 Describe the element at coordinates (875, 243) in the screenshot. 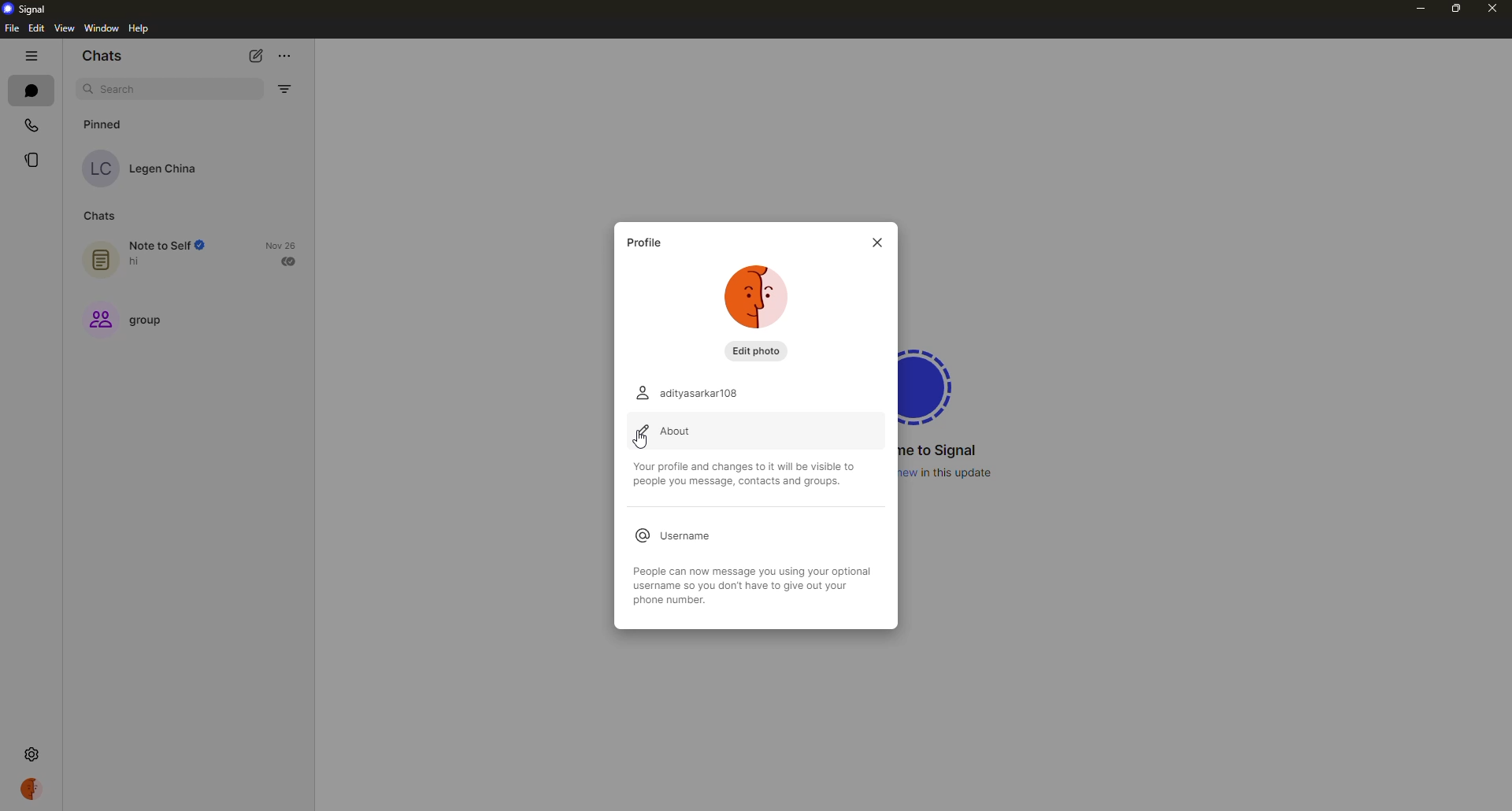

I see `close` at that location.